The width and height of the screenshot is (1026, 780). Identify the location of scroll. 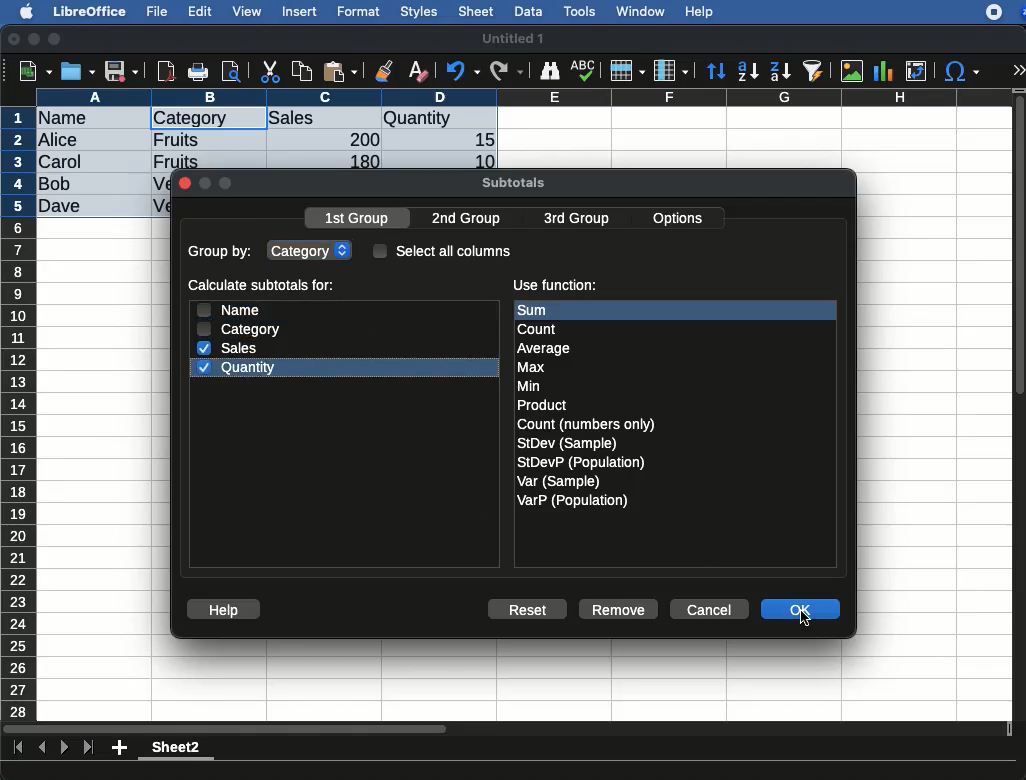
(1021, 404).